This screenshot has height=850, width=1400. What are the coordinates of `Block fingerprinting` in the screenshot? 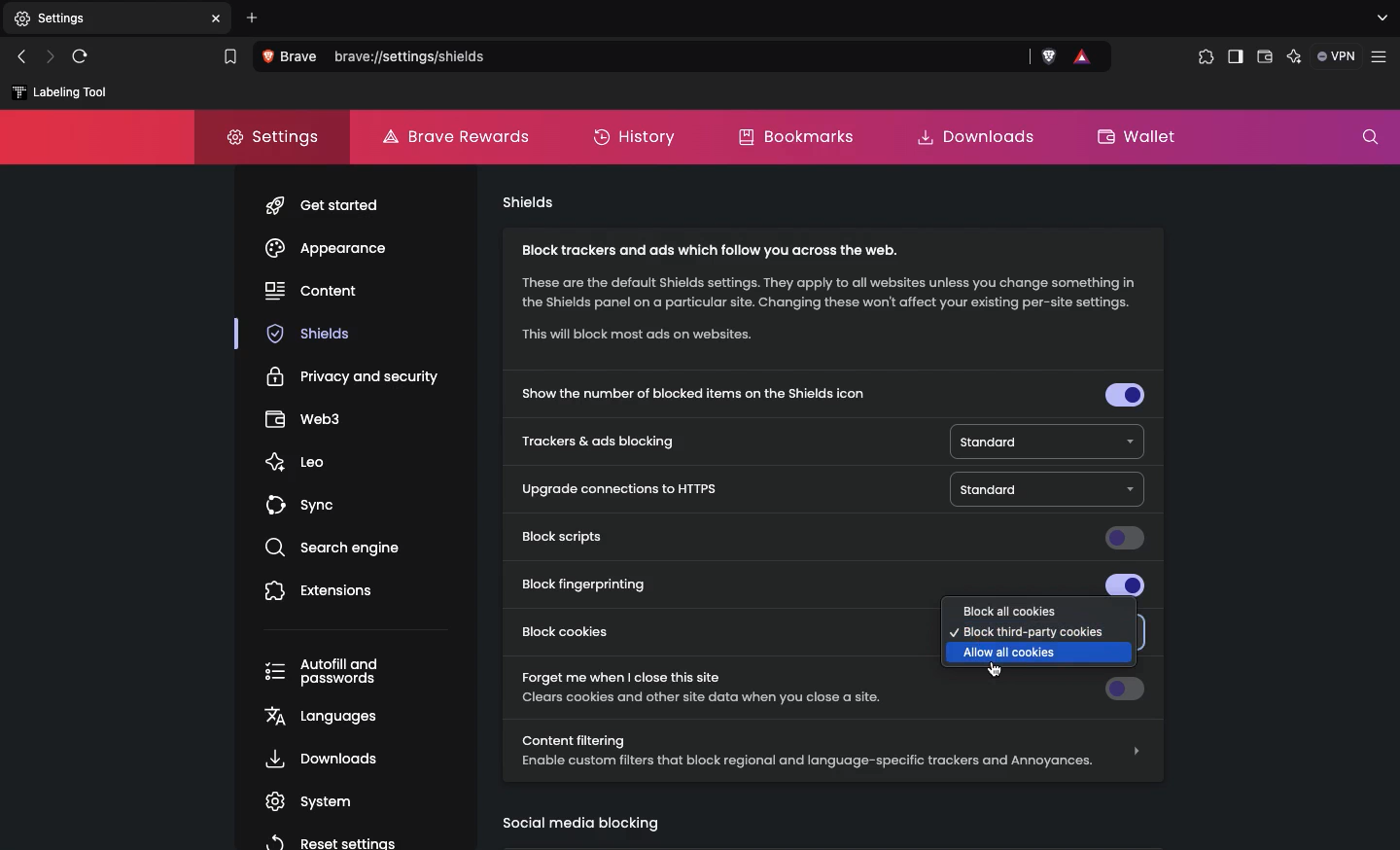 It's located at (834, 584).